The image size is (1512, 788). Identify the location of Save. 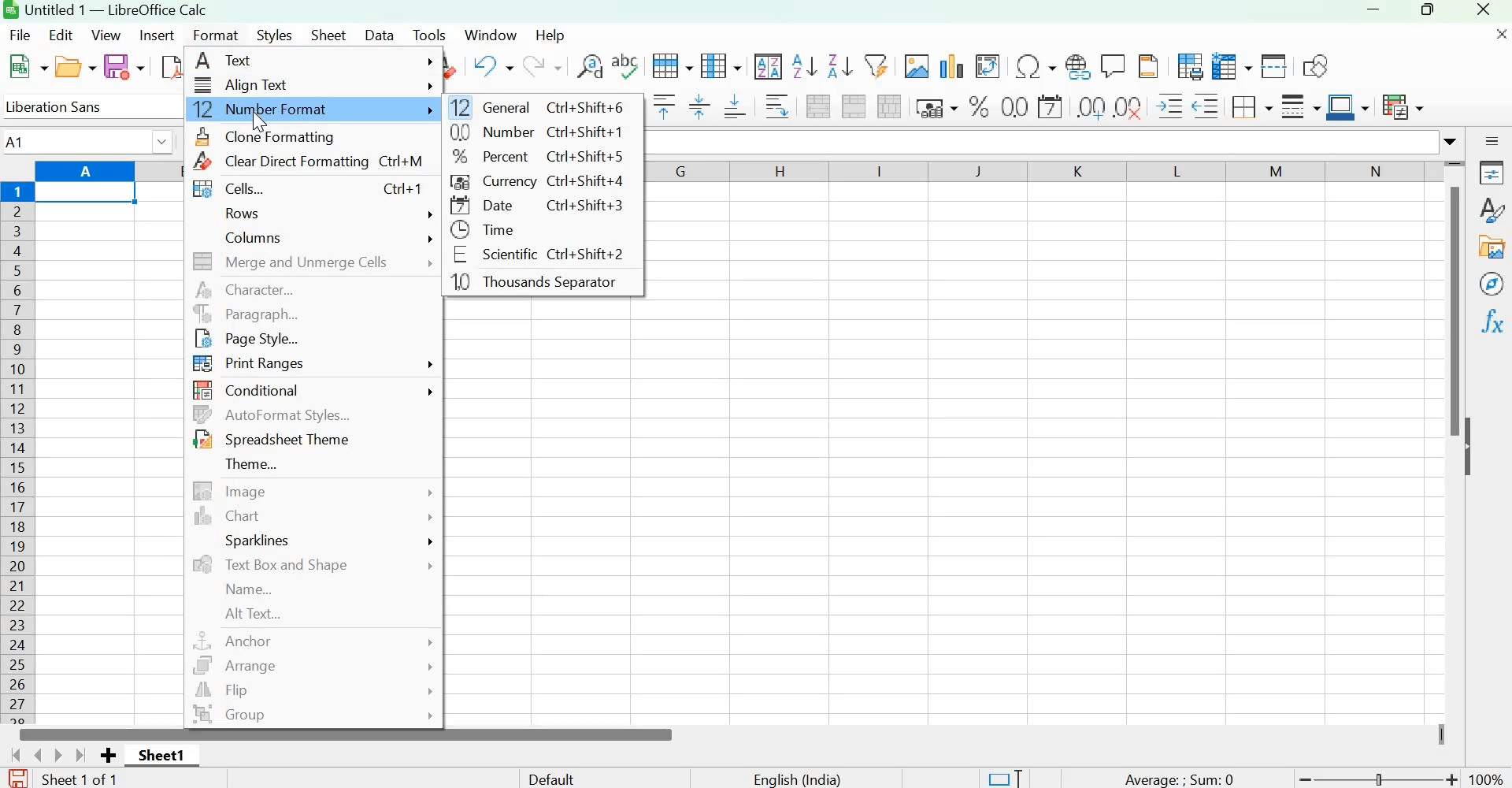
(124, 67).